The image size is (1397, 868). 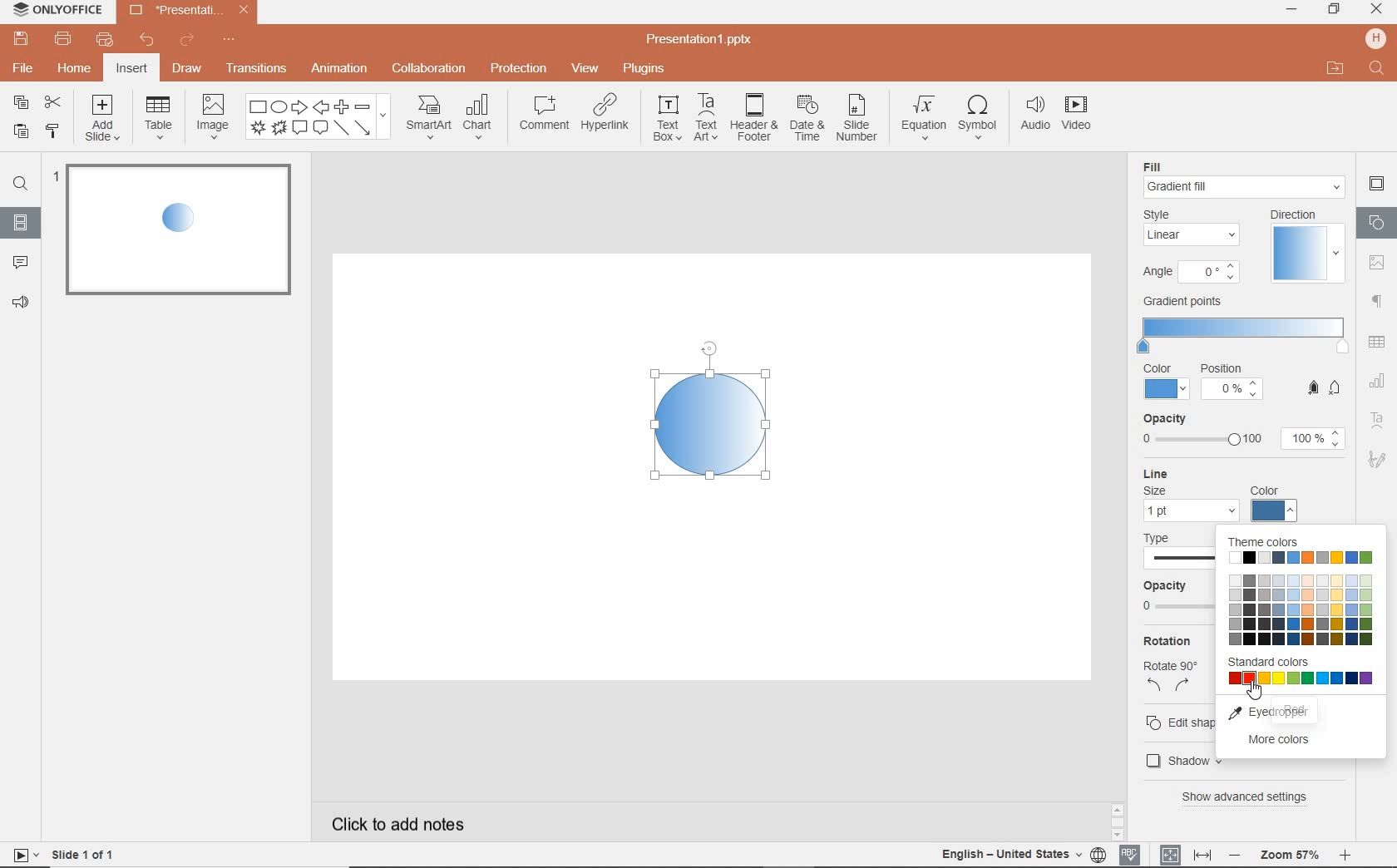 What do you see at coordinates (977, 118) in the screenshot?
I see `symbol` at bounding box center [977, 118].